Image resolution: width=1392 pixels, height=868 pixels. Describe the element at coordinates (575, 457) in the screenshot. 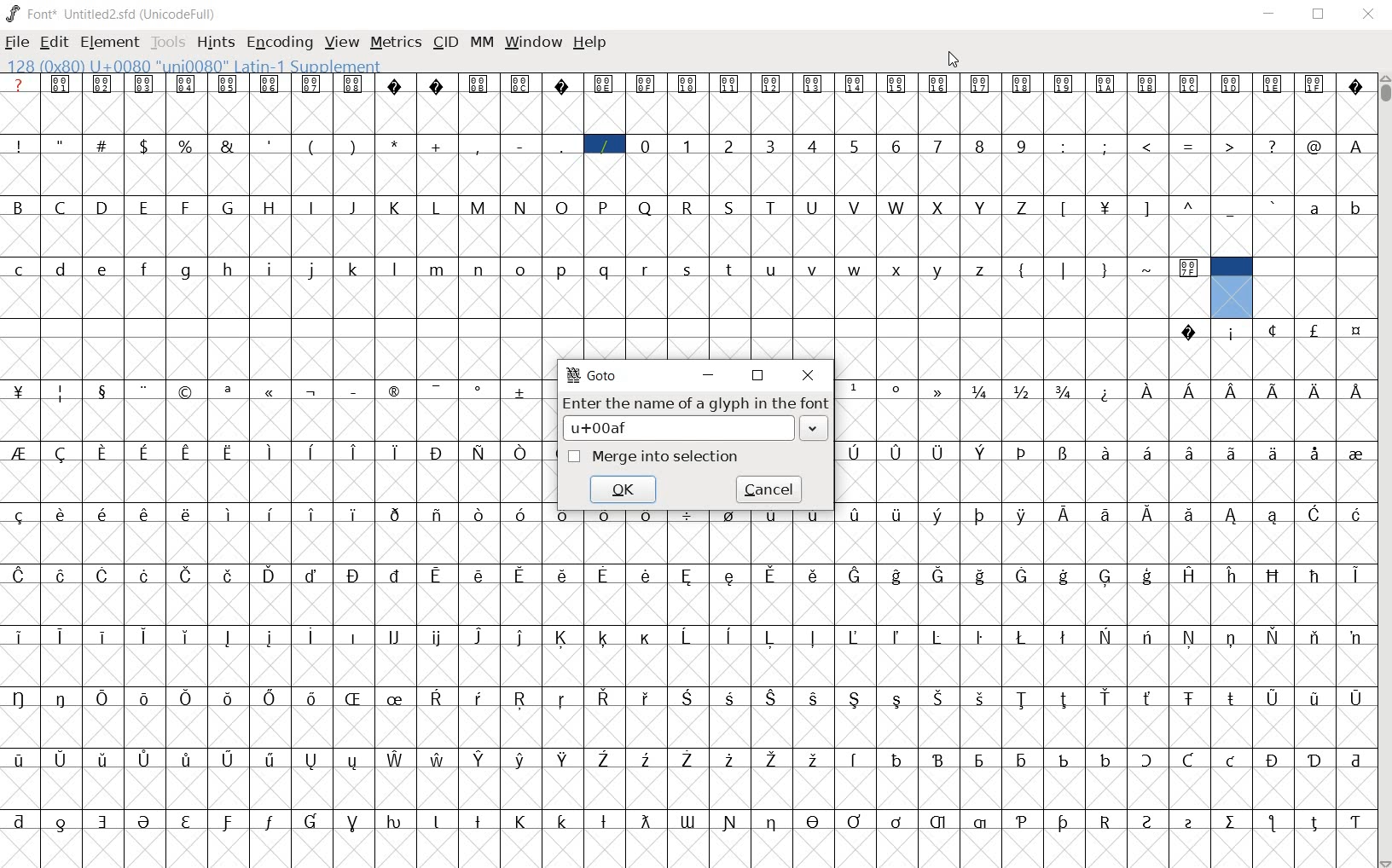

I see `checkbox` at that location.